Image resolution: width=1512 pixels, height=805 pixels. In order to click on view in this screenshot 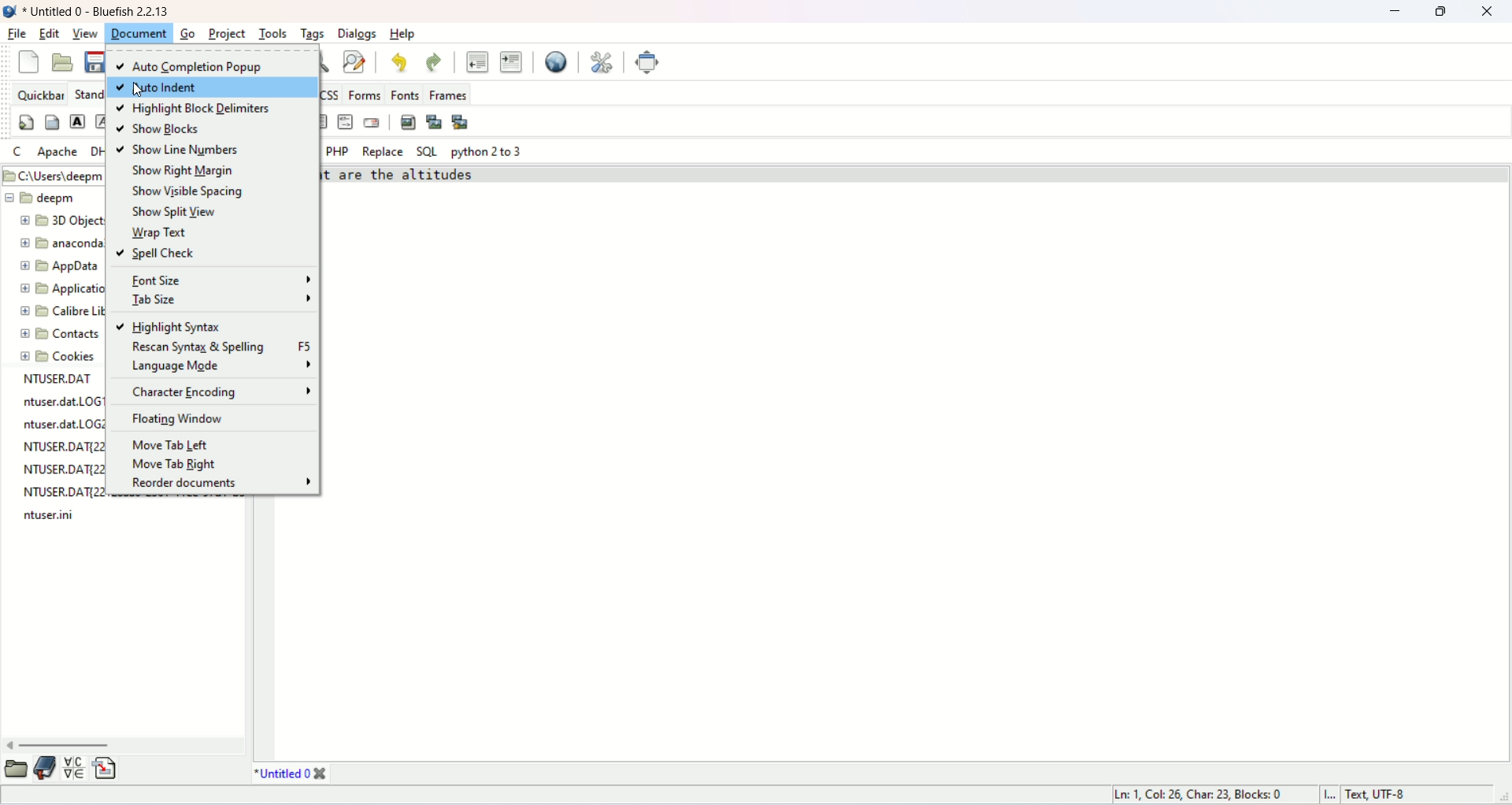, I will do `click(87, 35)`.